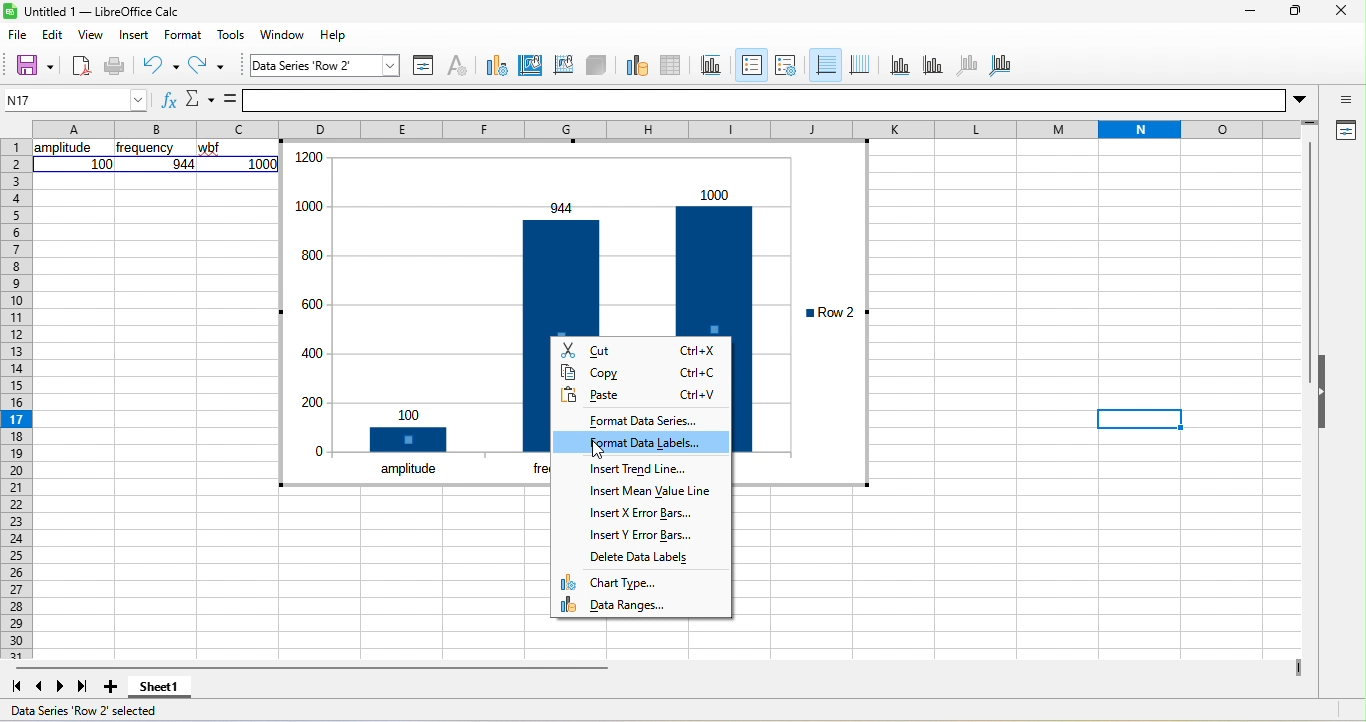 The image size is (1366, 722). What do you see at coordinates (15, 399) in the screenshot?
I see `rows` at bounding box center [15, 399].